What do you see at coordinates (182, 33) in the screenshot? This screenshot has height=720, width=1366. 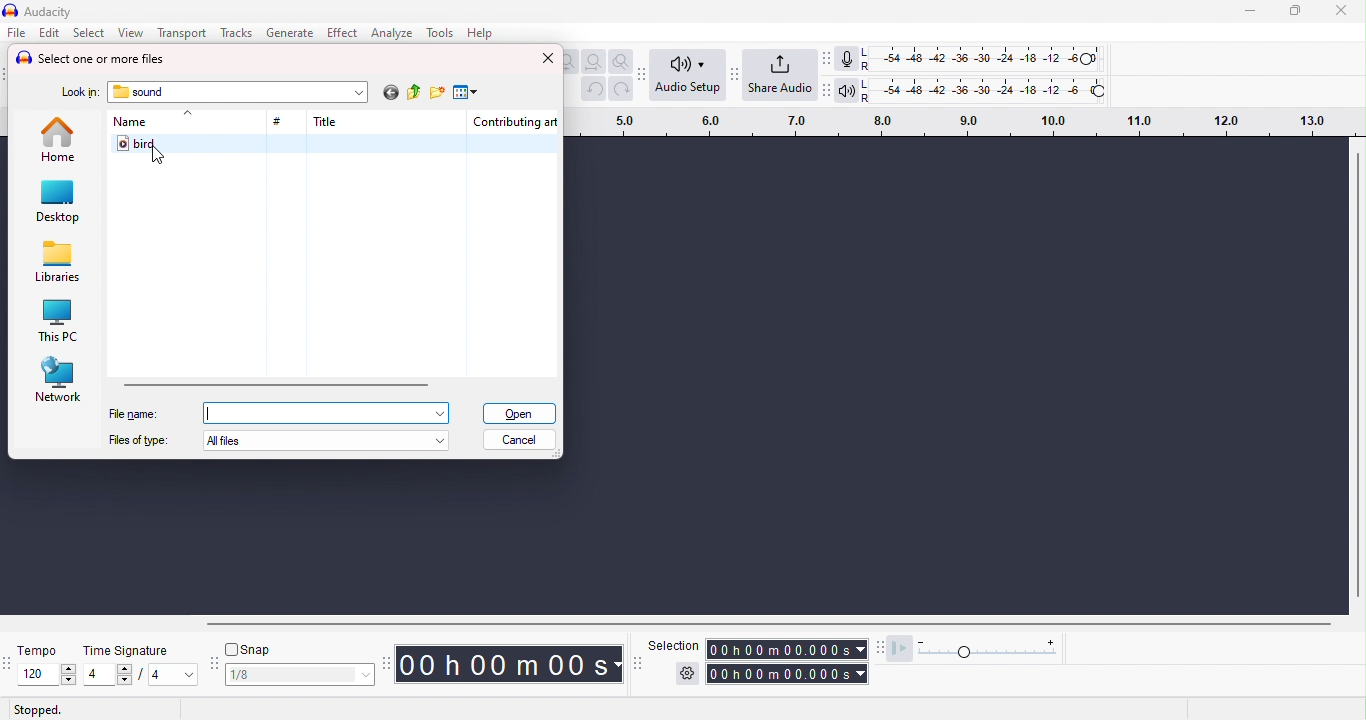 I see `transport` at bounding box center [182, 33].